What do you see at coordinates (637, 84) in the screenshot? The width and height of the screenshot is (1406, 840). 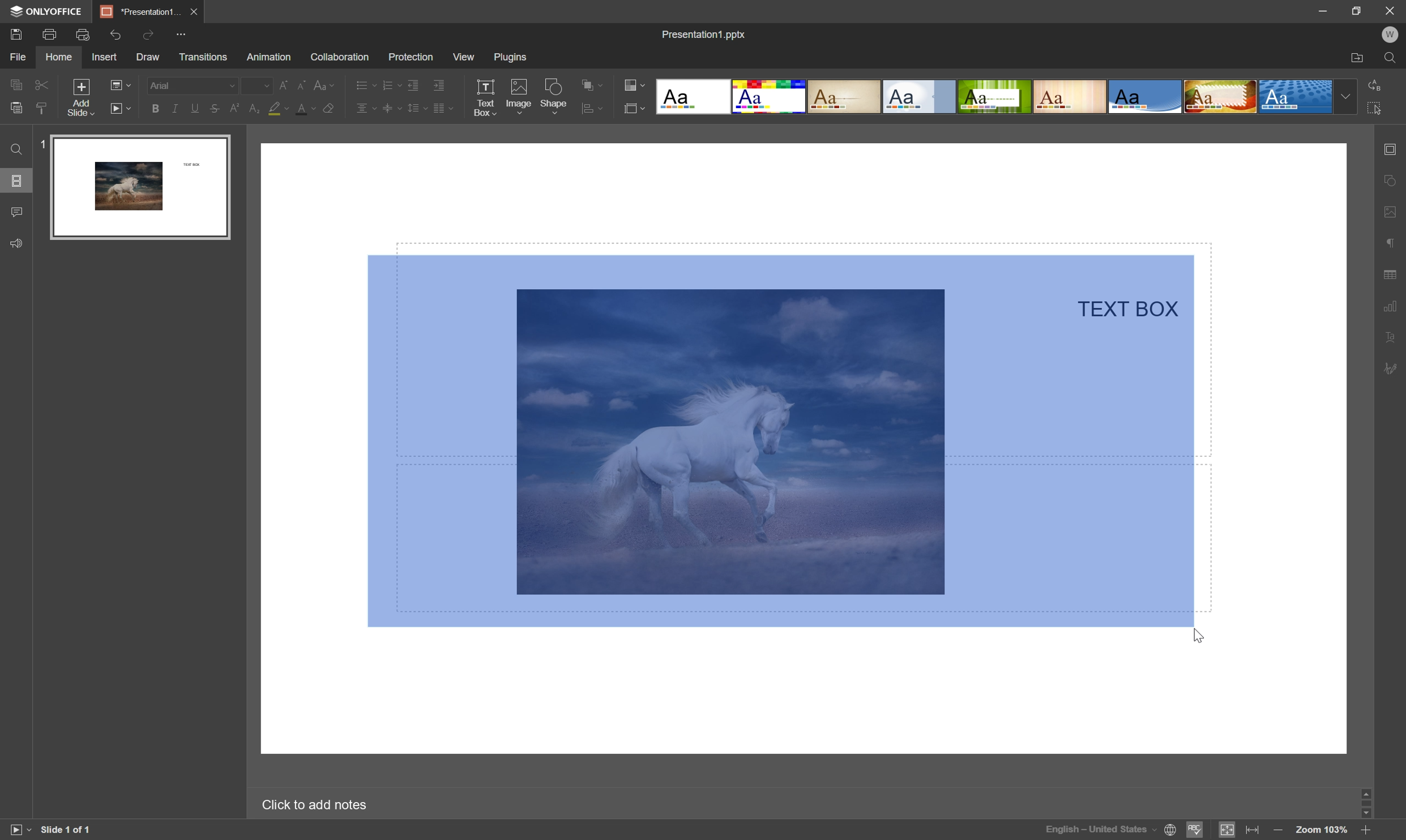 I see `change color theme` at bounding box center [637, 84].